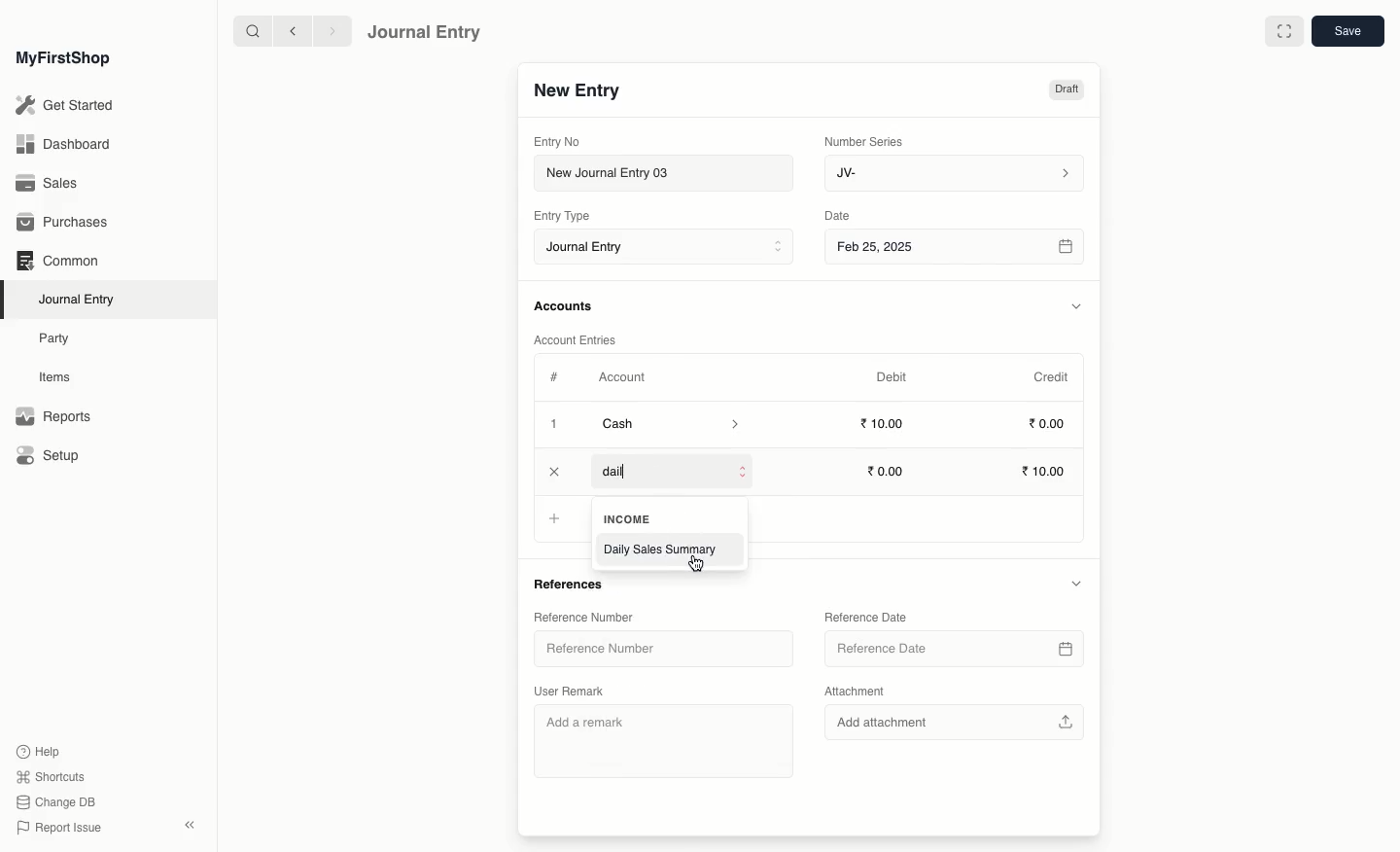  Describe the element at coordinates (864, 140) in the screenshot. I see `‘Number Series` at that location.